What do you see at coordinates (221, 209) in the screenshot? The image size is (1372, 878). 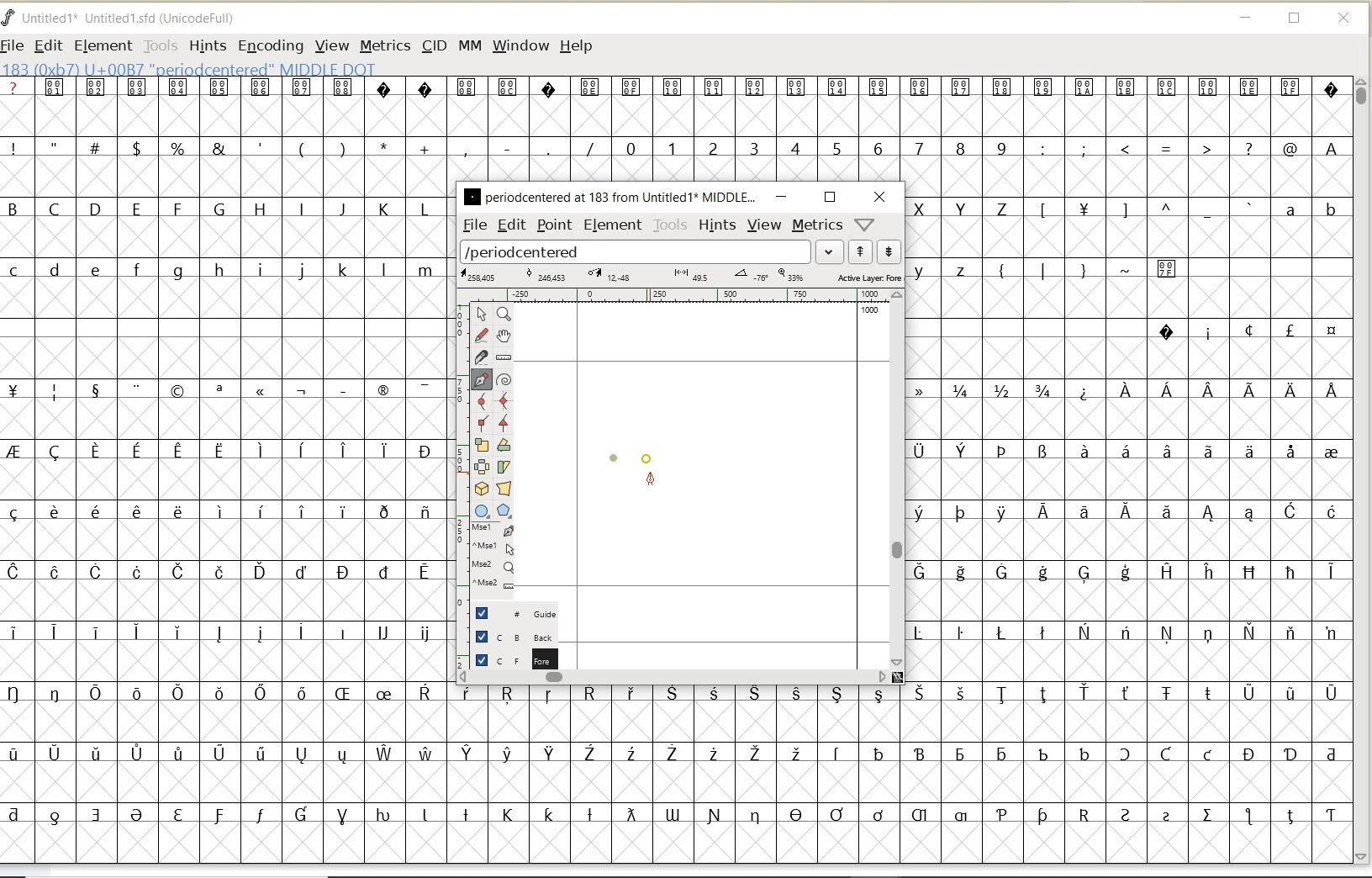 I see `uppercase letters` at bounding box center [221, 209].